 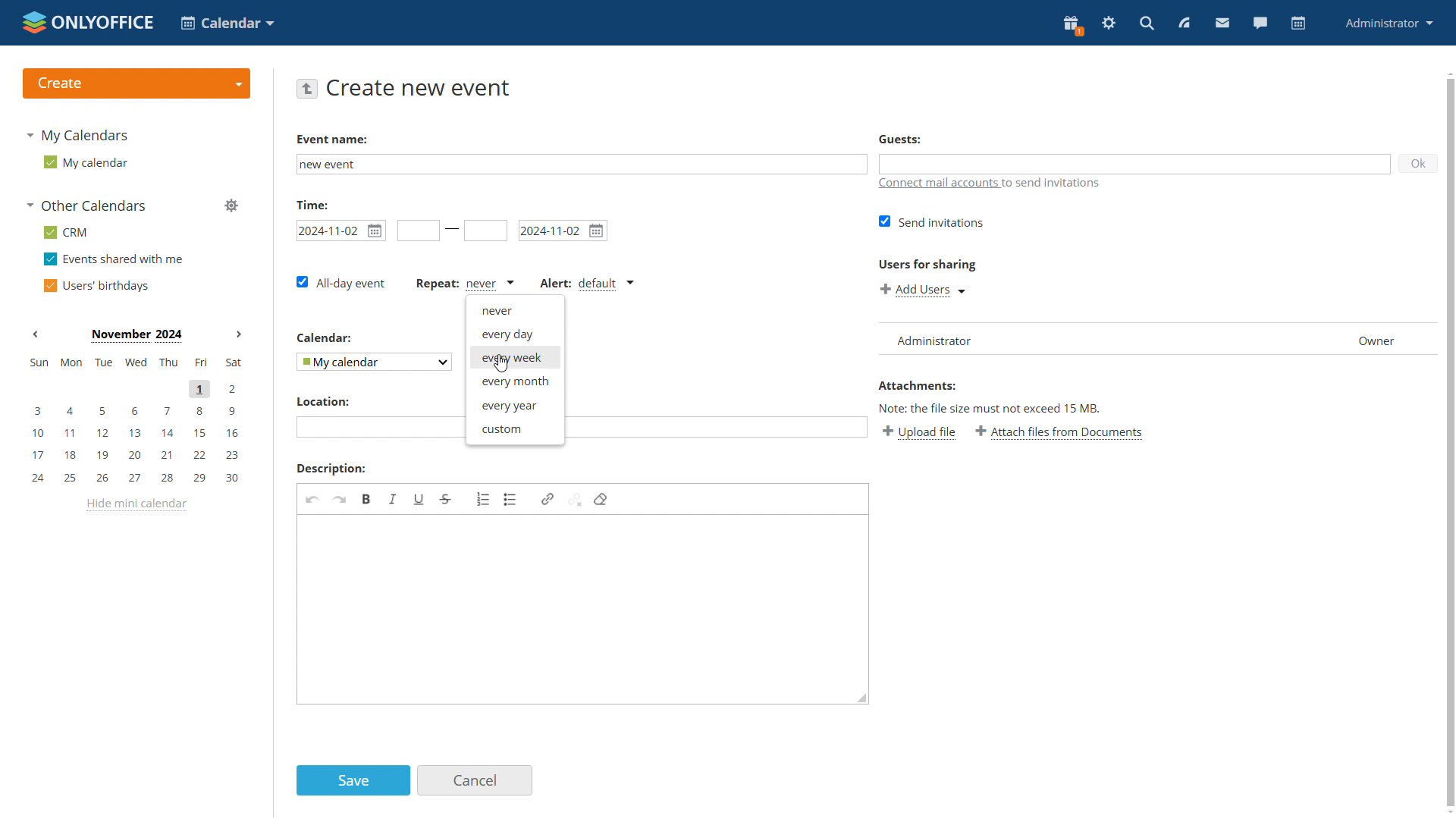 I want to click on scrollbar, so click(x=1451, y=443).